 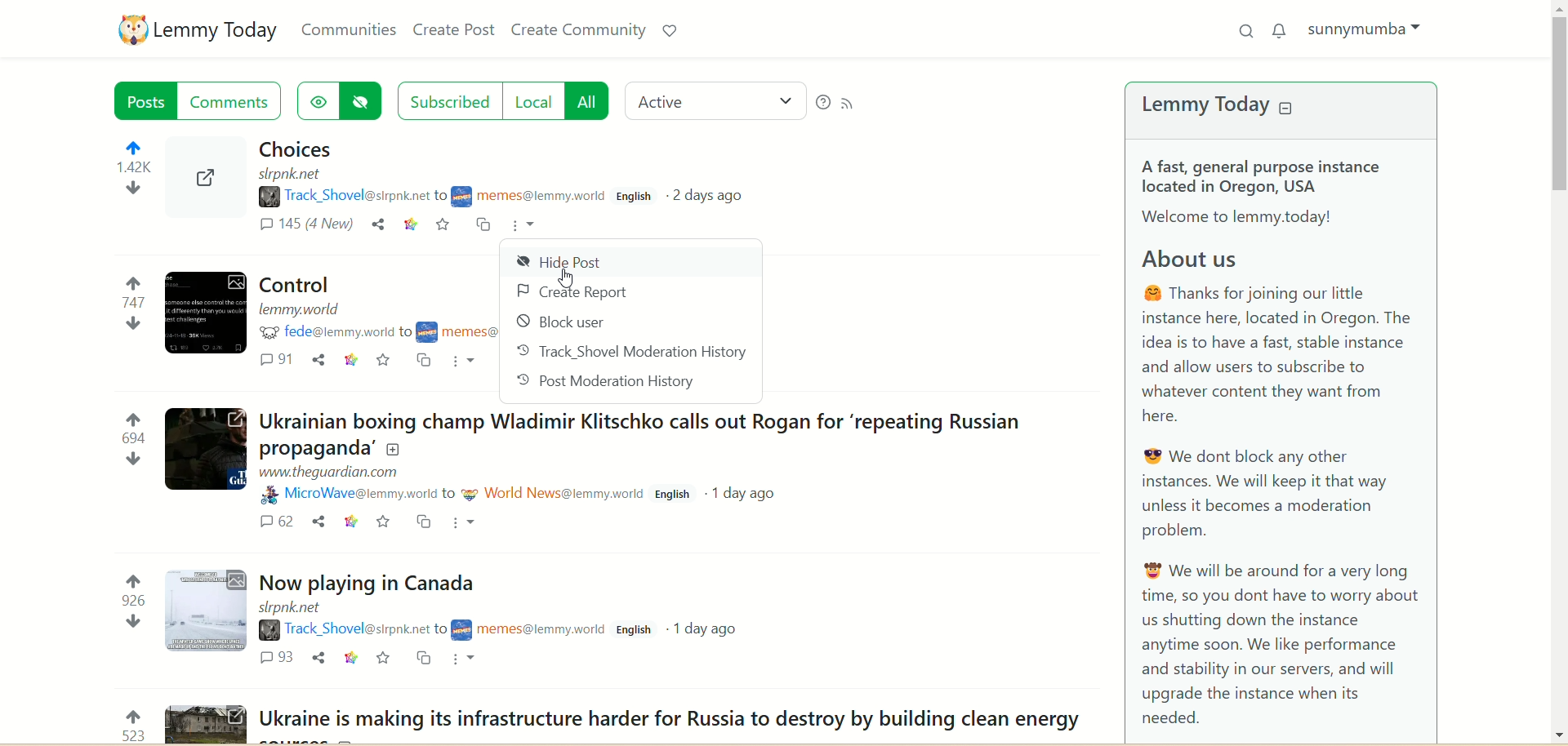 What do you see at coordinates (318, 359) in the screenshot?
I see `share` at bounding box center [318, 359].